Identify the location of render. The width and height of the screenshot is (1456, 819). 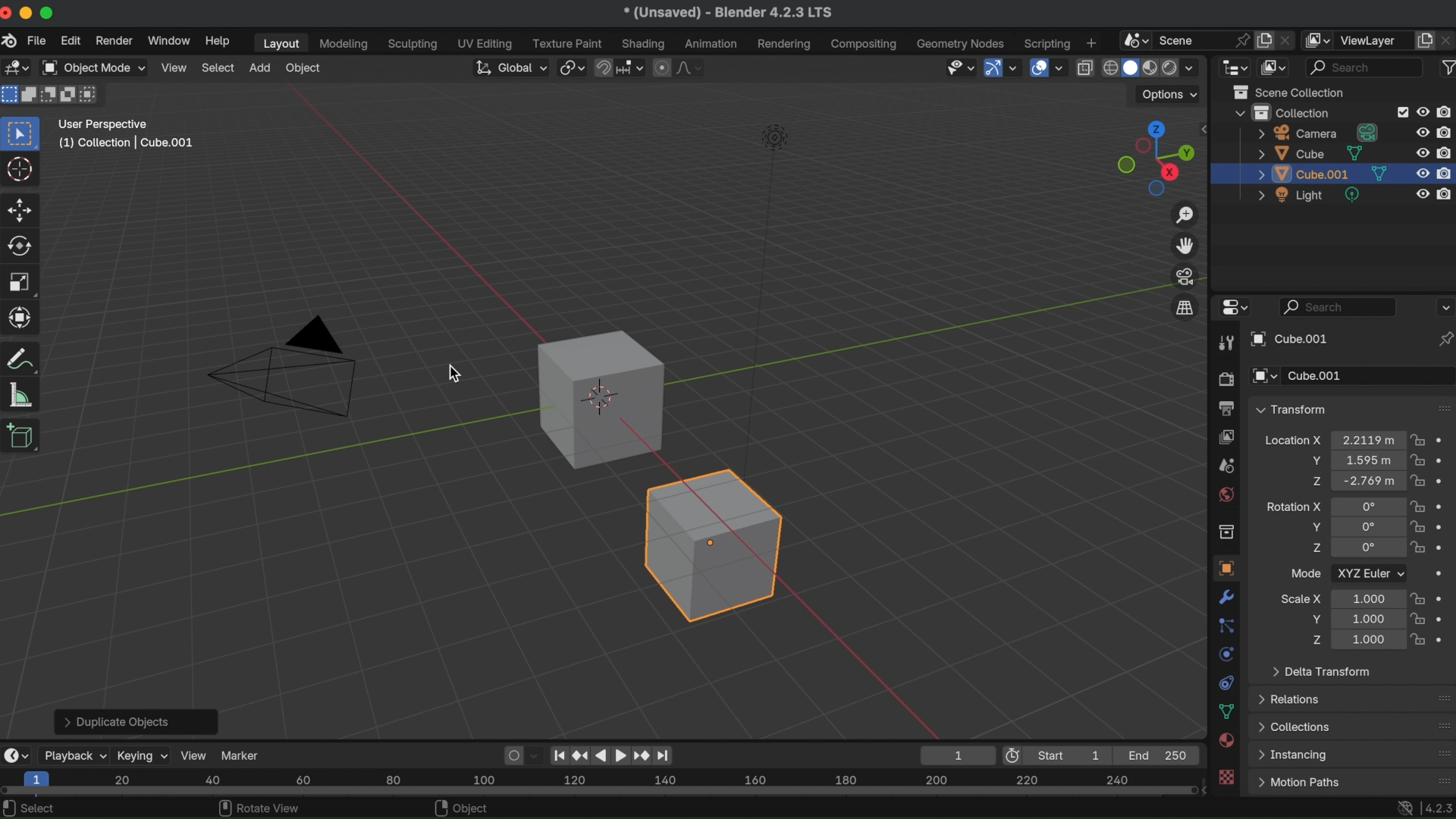
(112, 41).